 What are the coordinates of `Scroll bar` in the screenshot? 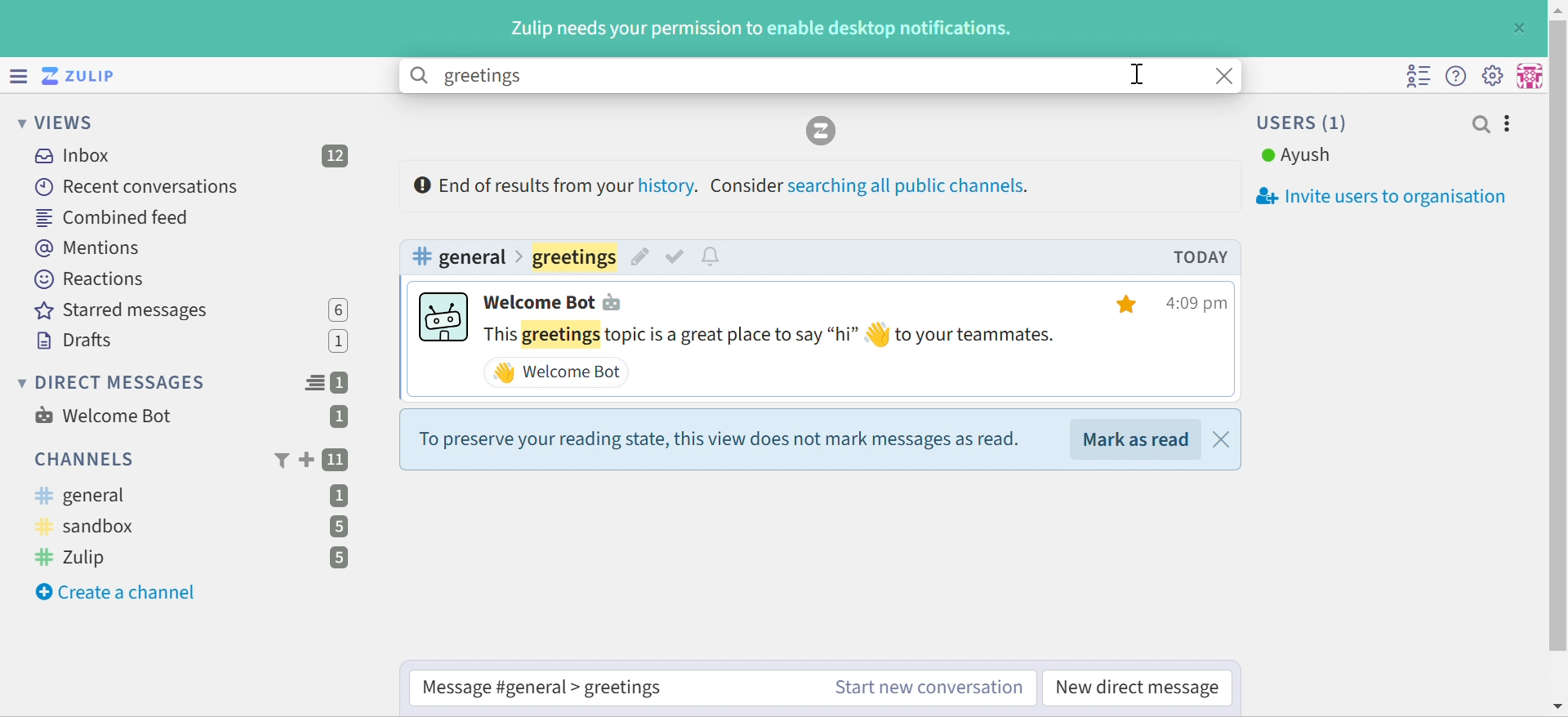 It's located at (1558, 337).